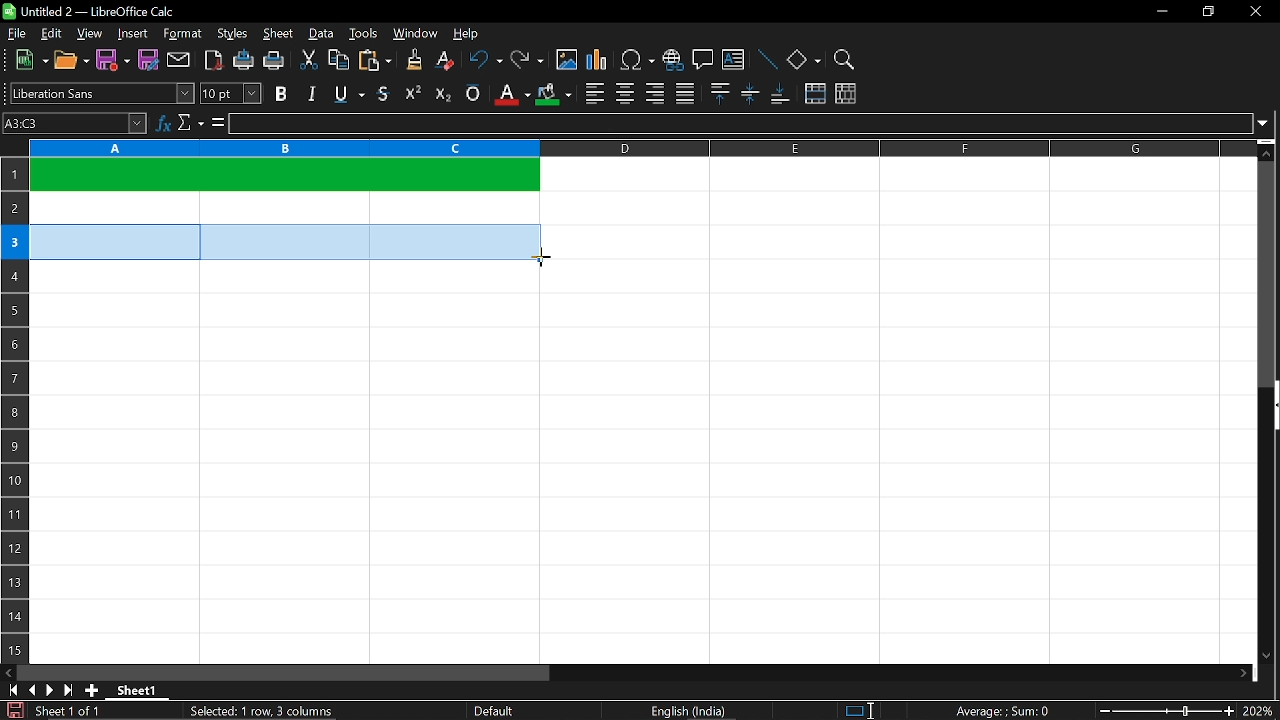 Image resolution: width=1280 pixels, height=720 pixels. What do you see at coordinates (68, 711) in the screenshot?
I see `Sheet 1 of 1` at bounding box center [68, 711].